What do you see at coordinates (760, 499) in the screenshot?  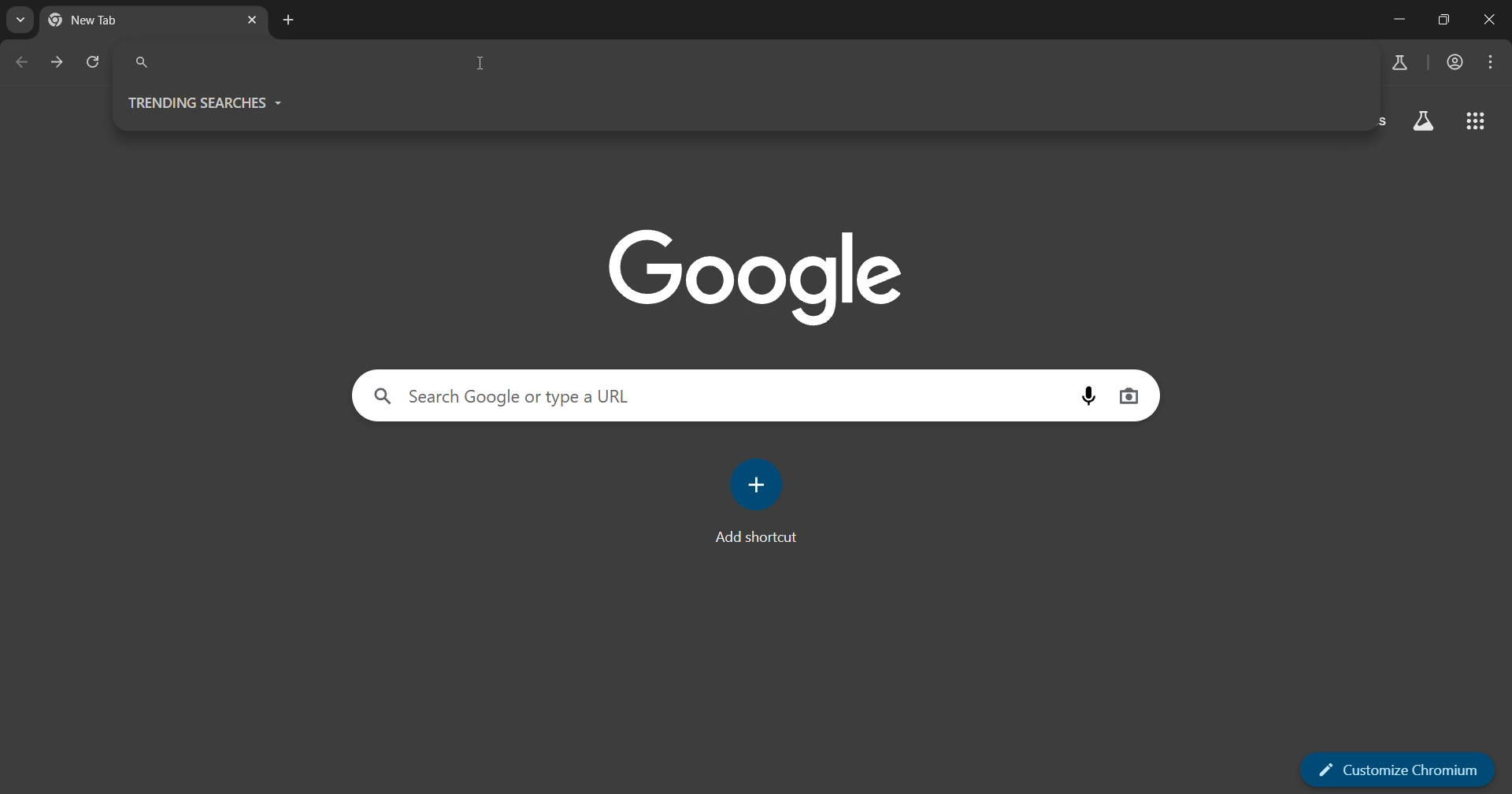 I see `add shortcut` at bounding box center [760, 499].